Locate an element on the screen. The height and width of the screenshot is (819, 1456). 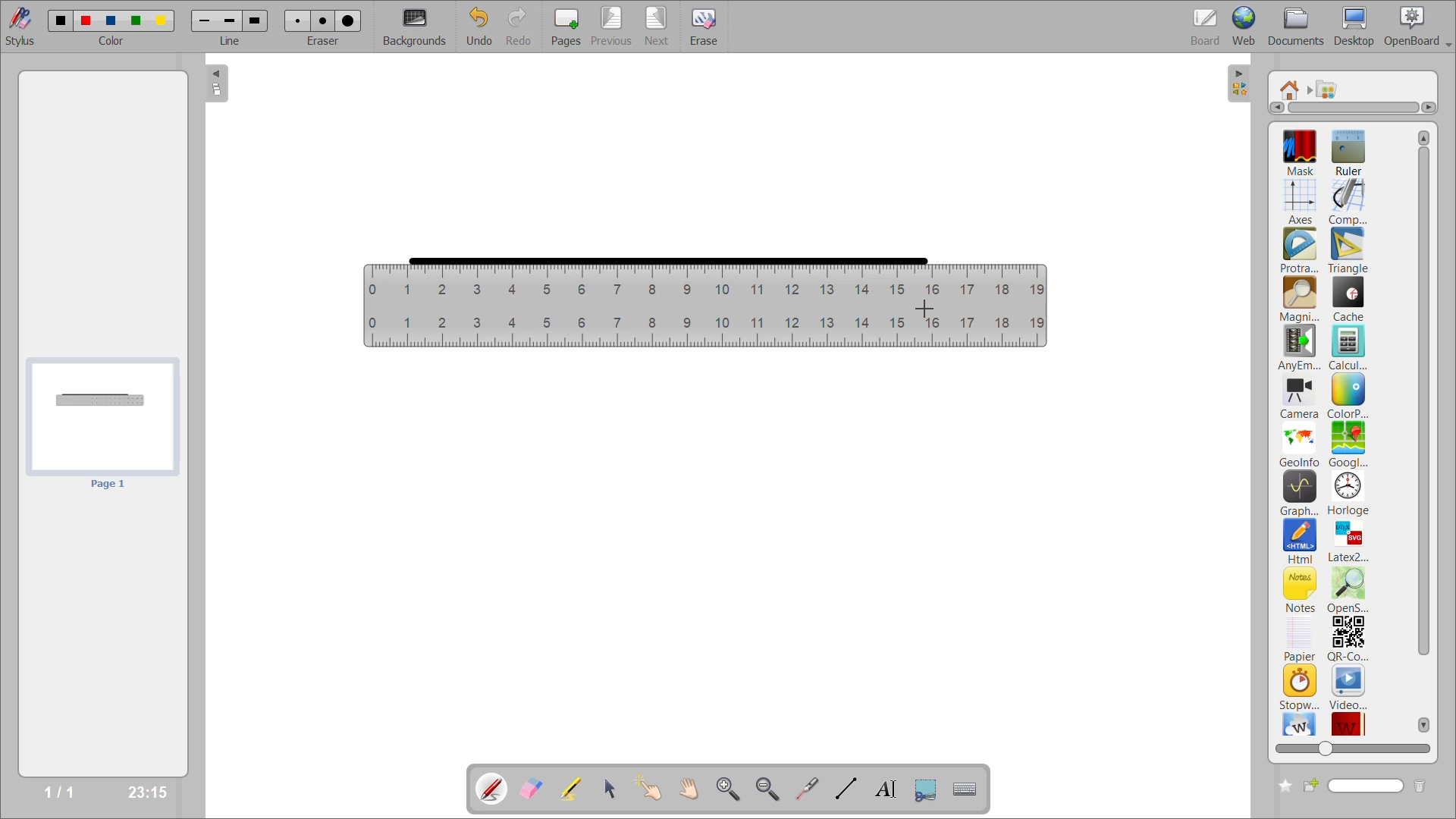
board is located at coordinates (1208, 26).